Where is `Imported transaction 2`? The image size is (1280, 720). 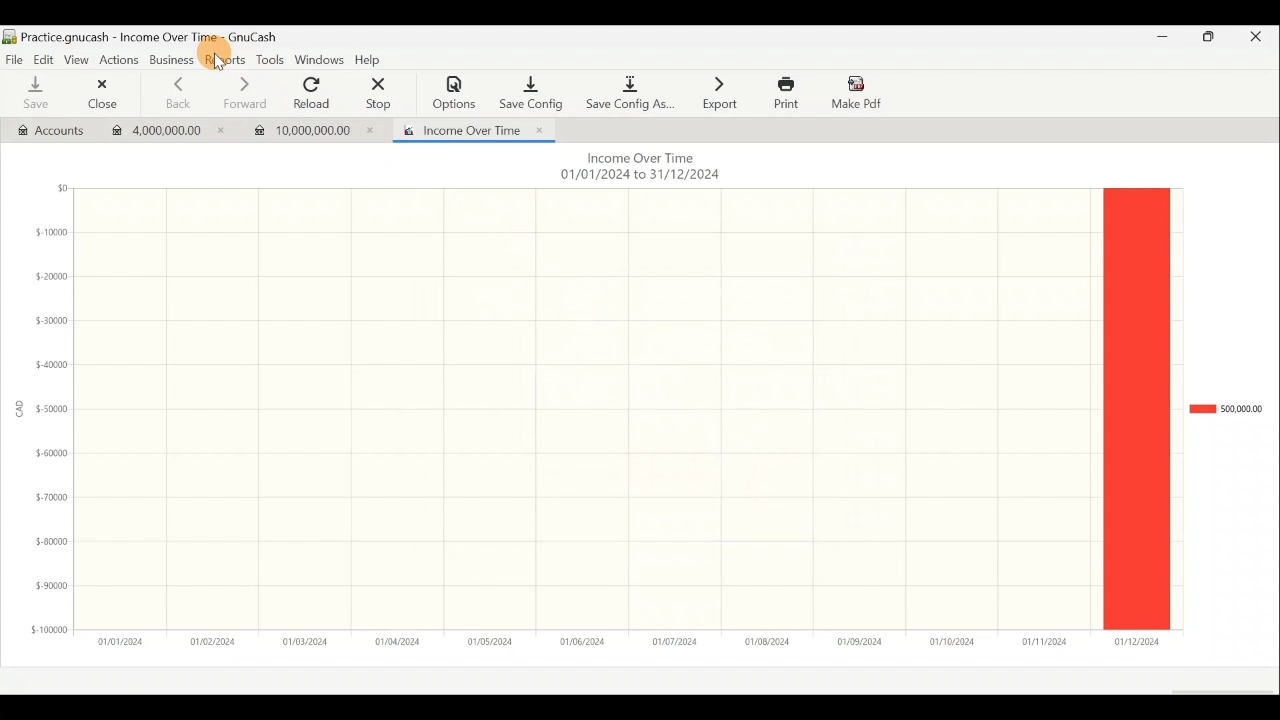
Imported transaction 2 is located at coordinates (318, 129).